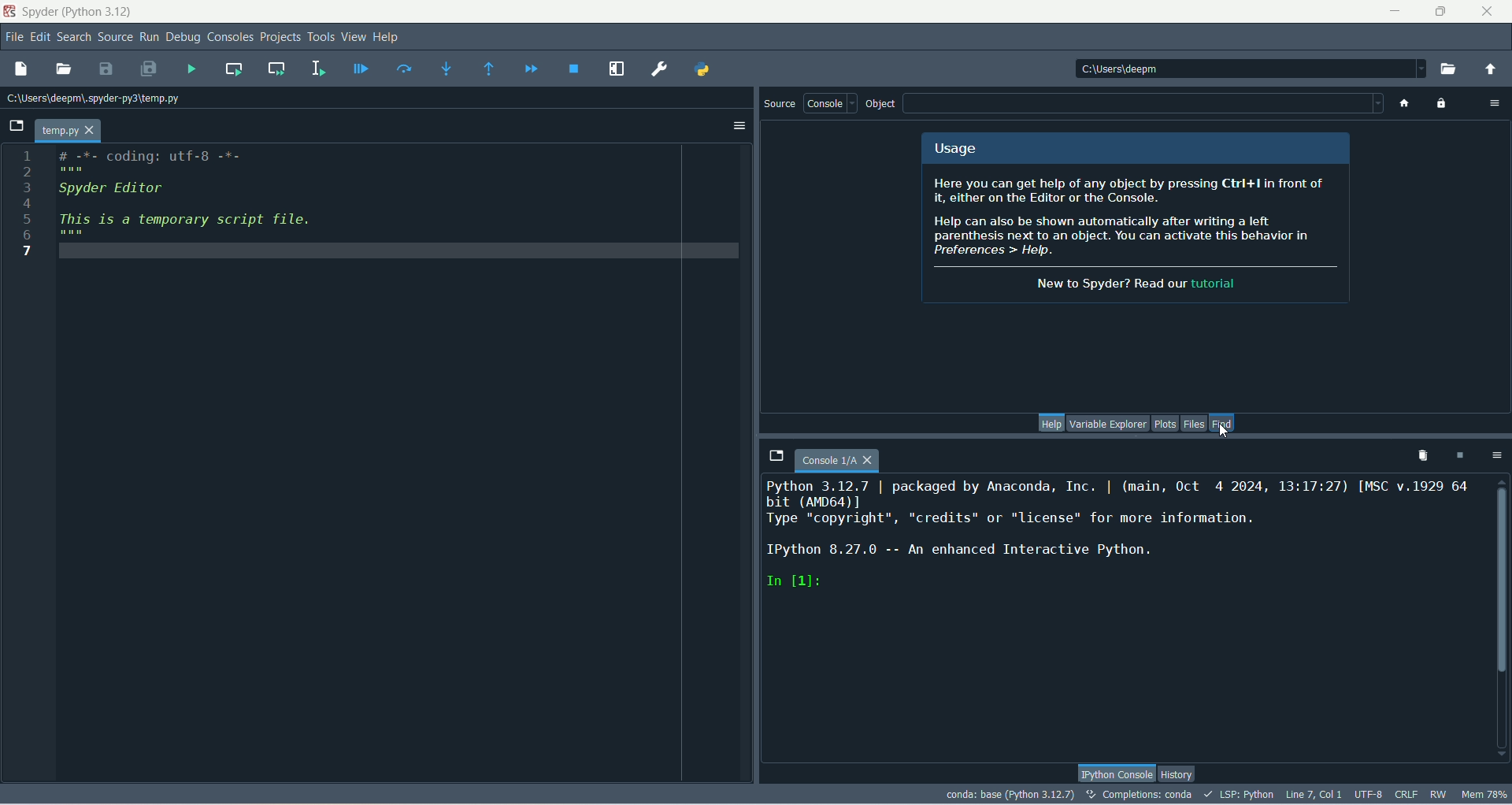 This screenshot has width=1512, height=805. I want to click on view, so click(353, 36).